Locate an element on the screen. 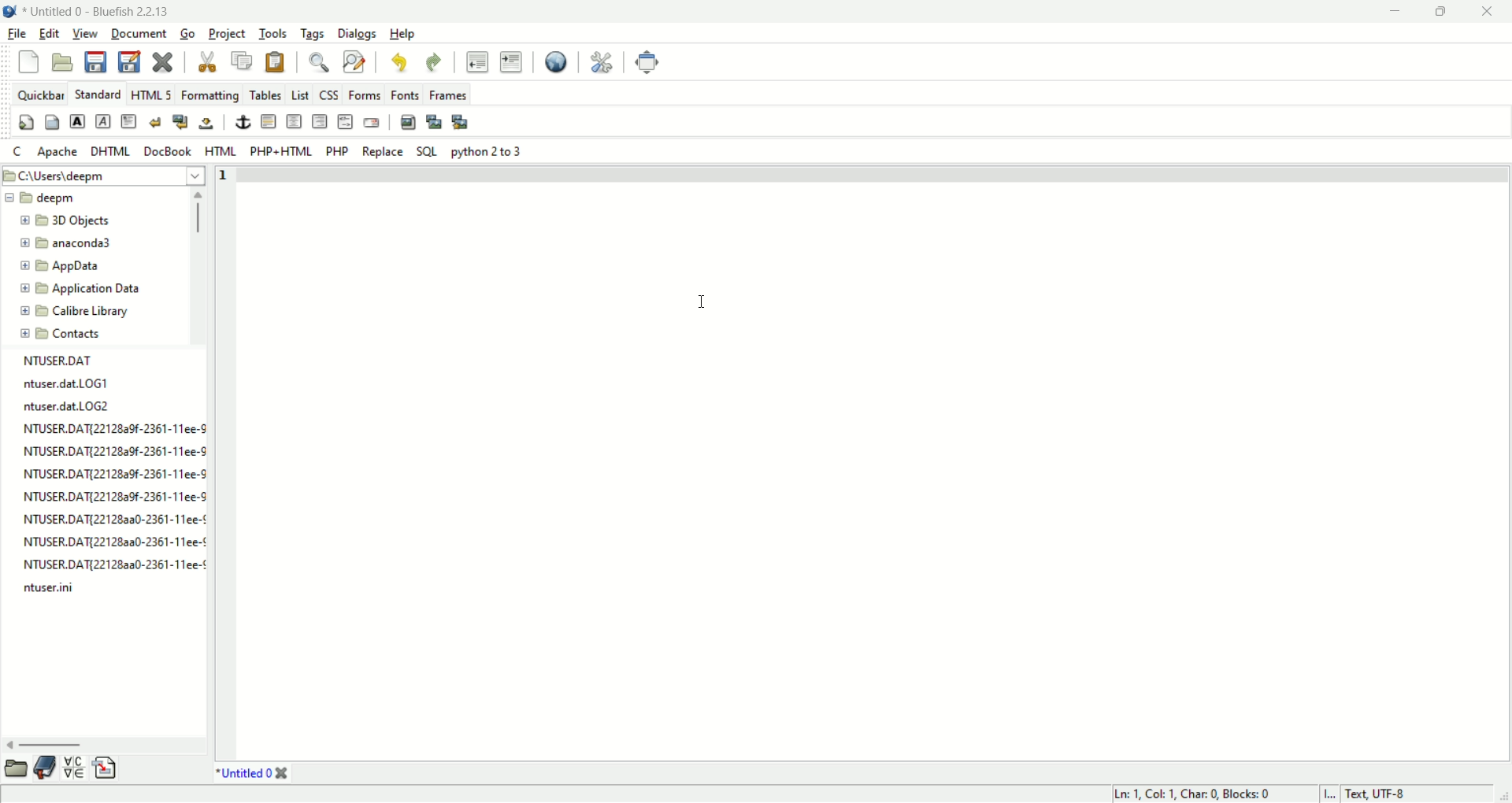 This screenshot has height=803, width=1512. anchor is located at coordinates (240, 123).